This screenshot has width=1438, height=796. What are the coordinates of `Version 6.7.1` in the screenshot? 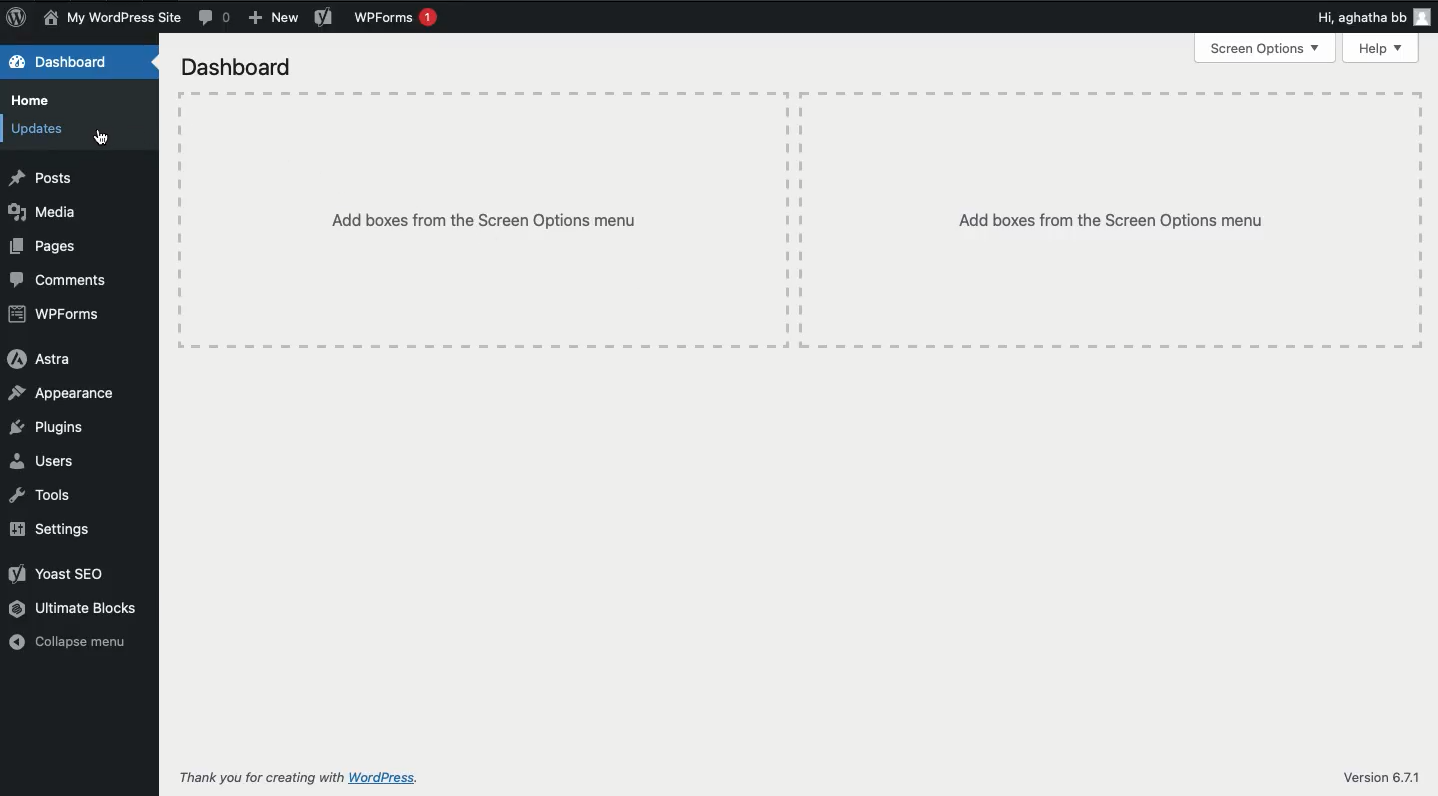 It's located at (1384, 774).